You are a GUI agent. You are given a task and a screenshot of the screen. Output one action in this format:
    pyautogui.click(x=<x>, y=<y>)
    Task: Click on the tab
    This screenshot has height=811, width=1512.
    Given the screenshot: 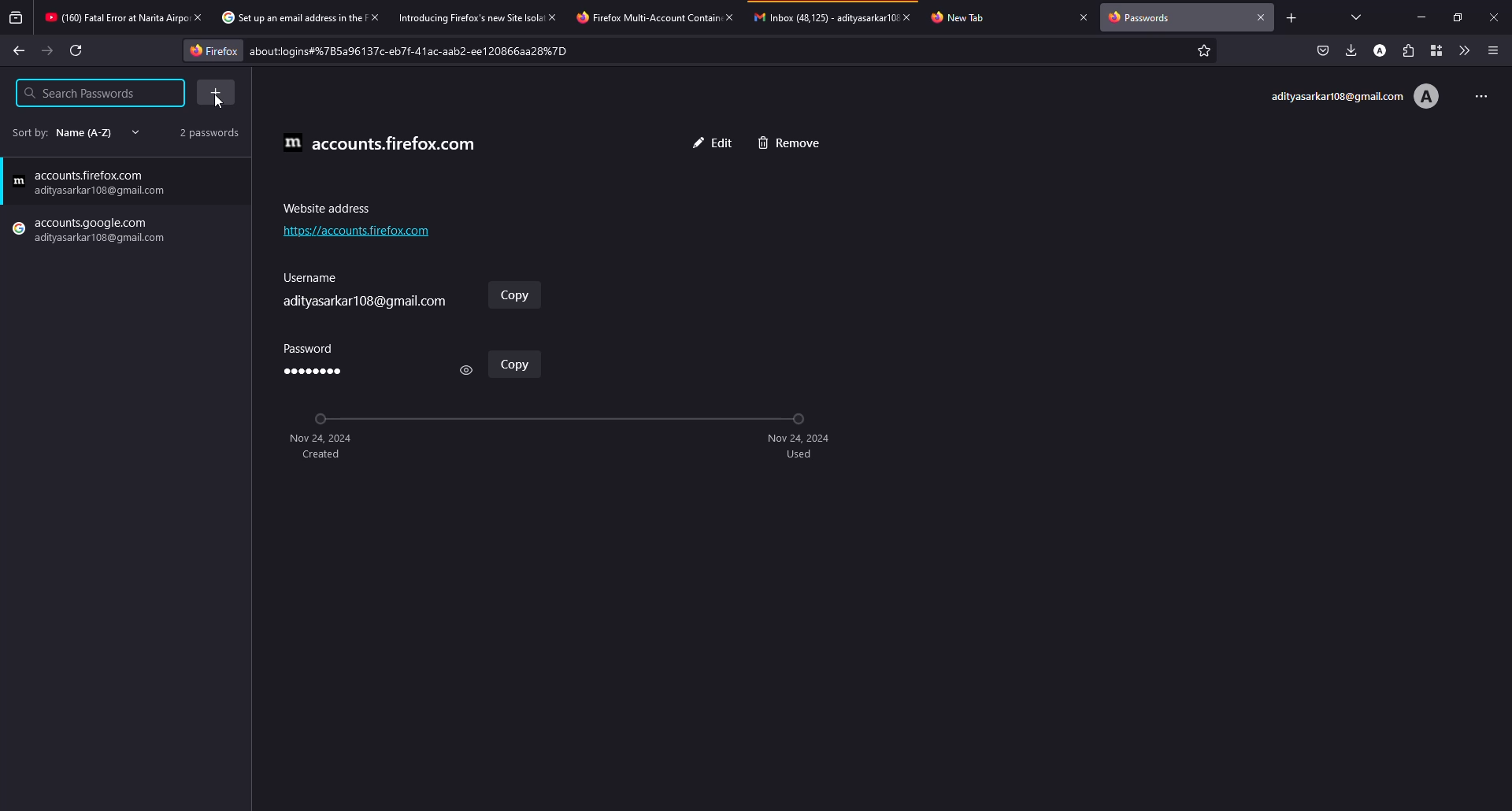 What is the action you would take?
    pyautogui.click(x=824, y=17)
    